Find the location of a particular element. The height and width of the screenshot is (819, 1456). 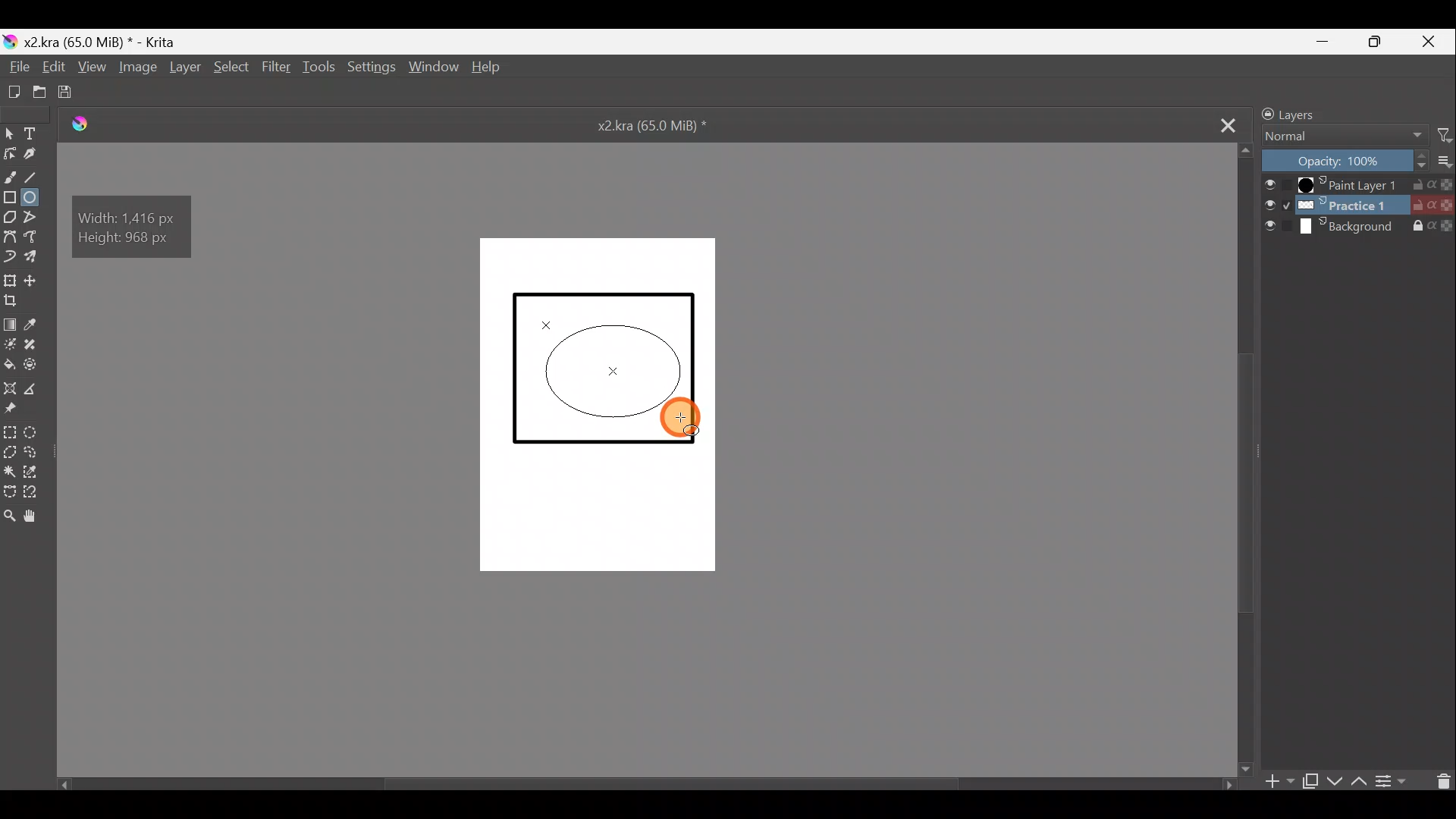

Move layer/mask up is located at coordinates (1357, 778).